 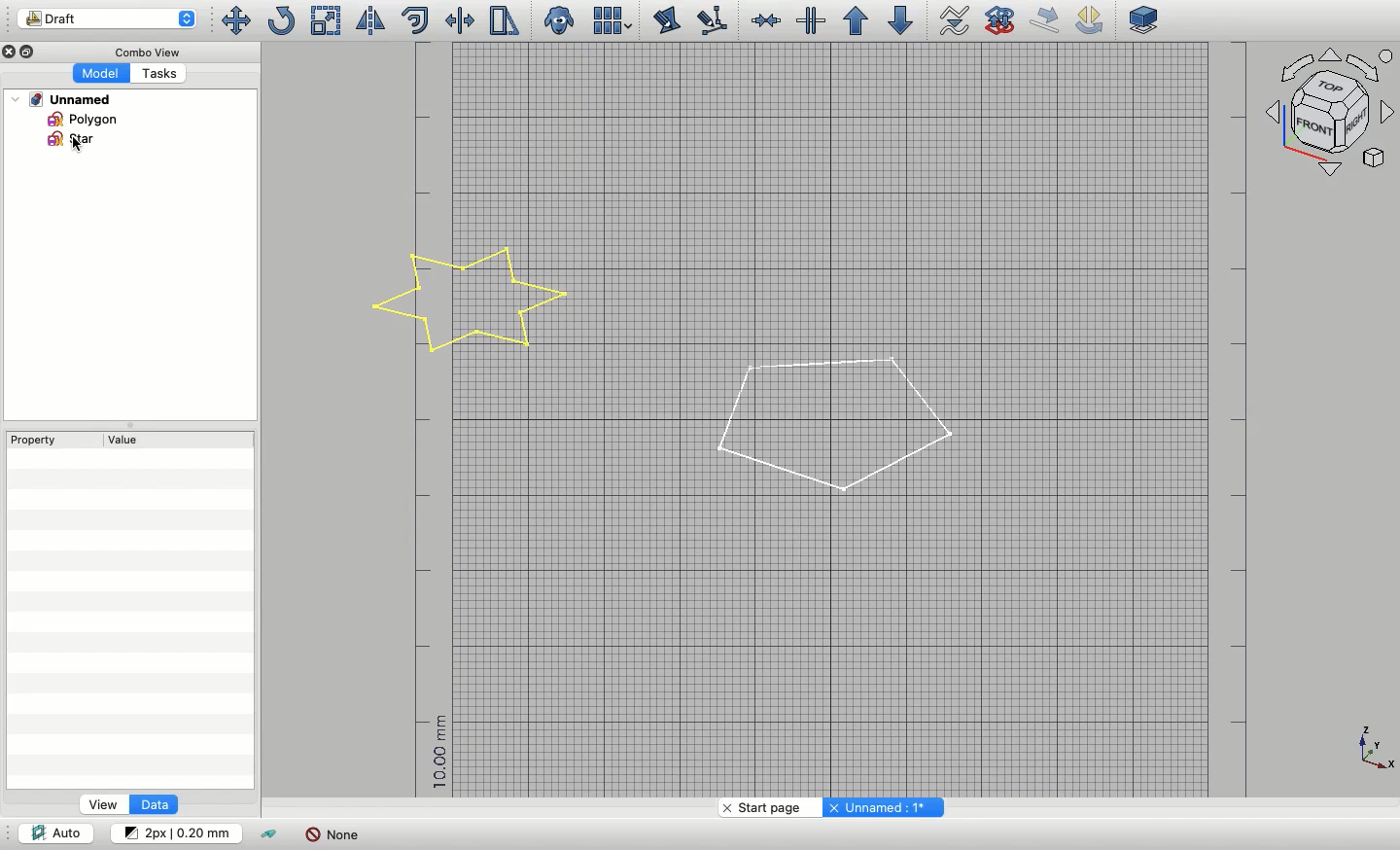 What do you see at coordinates (280, 20) in the screenshot?
I see `Rotate` at bounding box center [280, 20].